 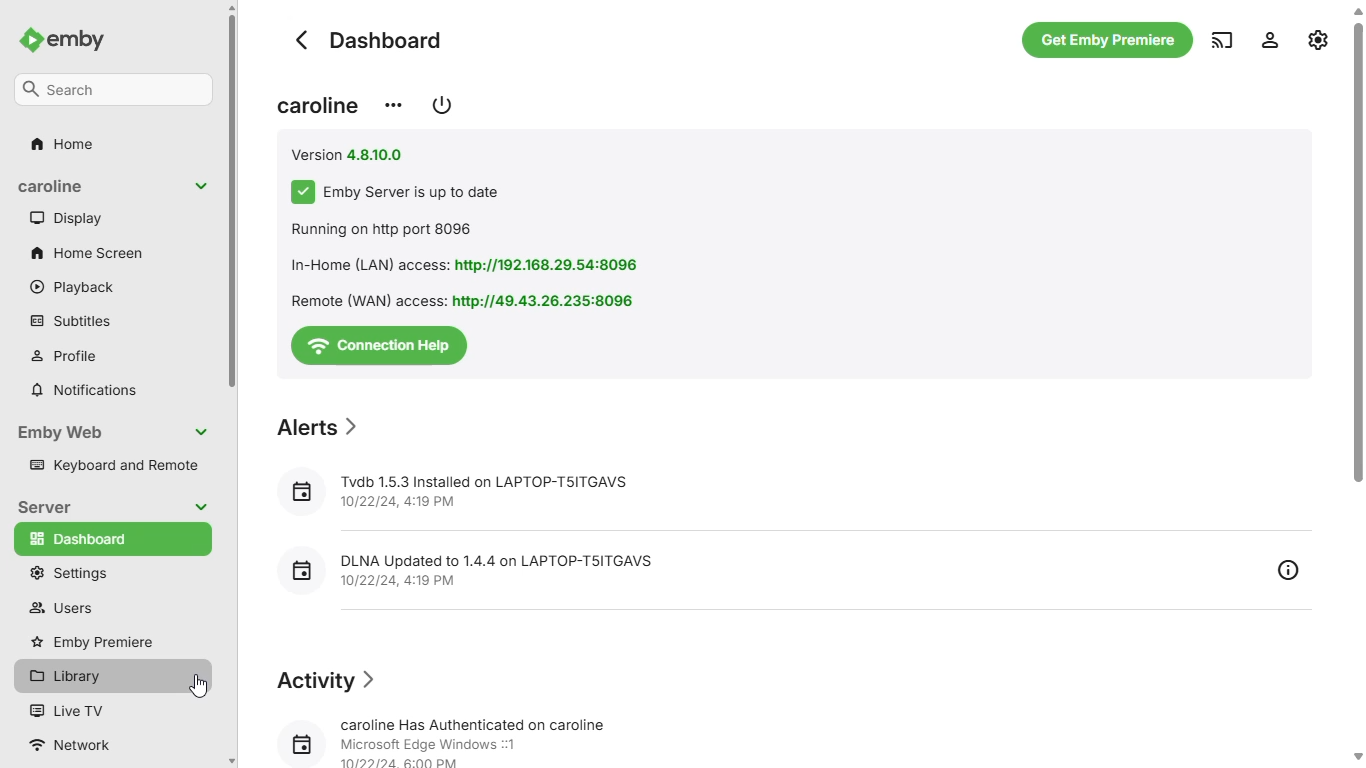 What do you see at coordinates (64, 710) in the screenshot?
I see `live TV` at bounding box center [64, 710].